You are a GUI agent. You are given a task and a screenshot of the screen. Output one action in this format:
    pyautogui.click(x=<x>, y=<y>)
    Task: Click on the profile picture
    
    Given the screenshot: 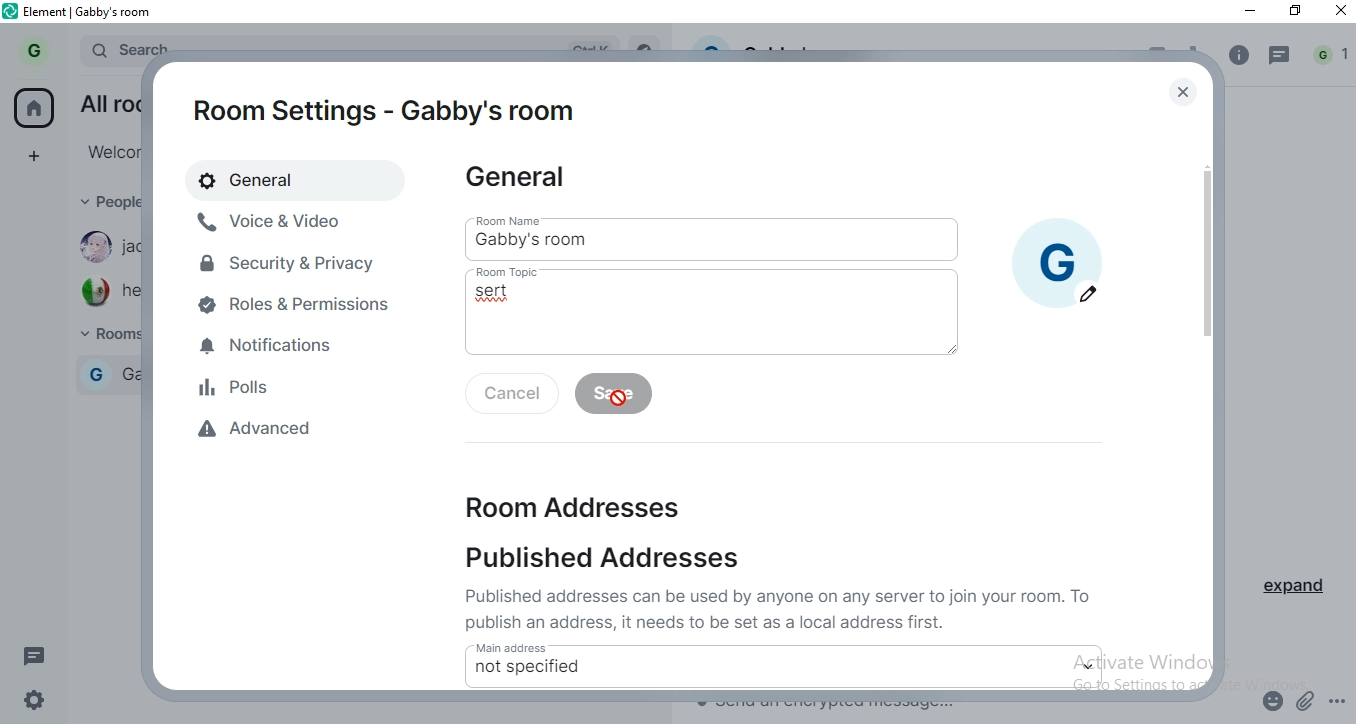 What is the action you would take?
    pyautogui.click(x=1057, y=248)
    